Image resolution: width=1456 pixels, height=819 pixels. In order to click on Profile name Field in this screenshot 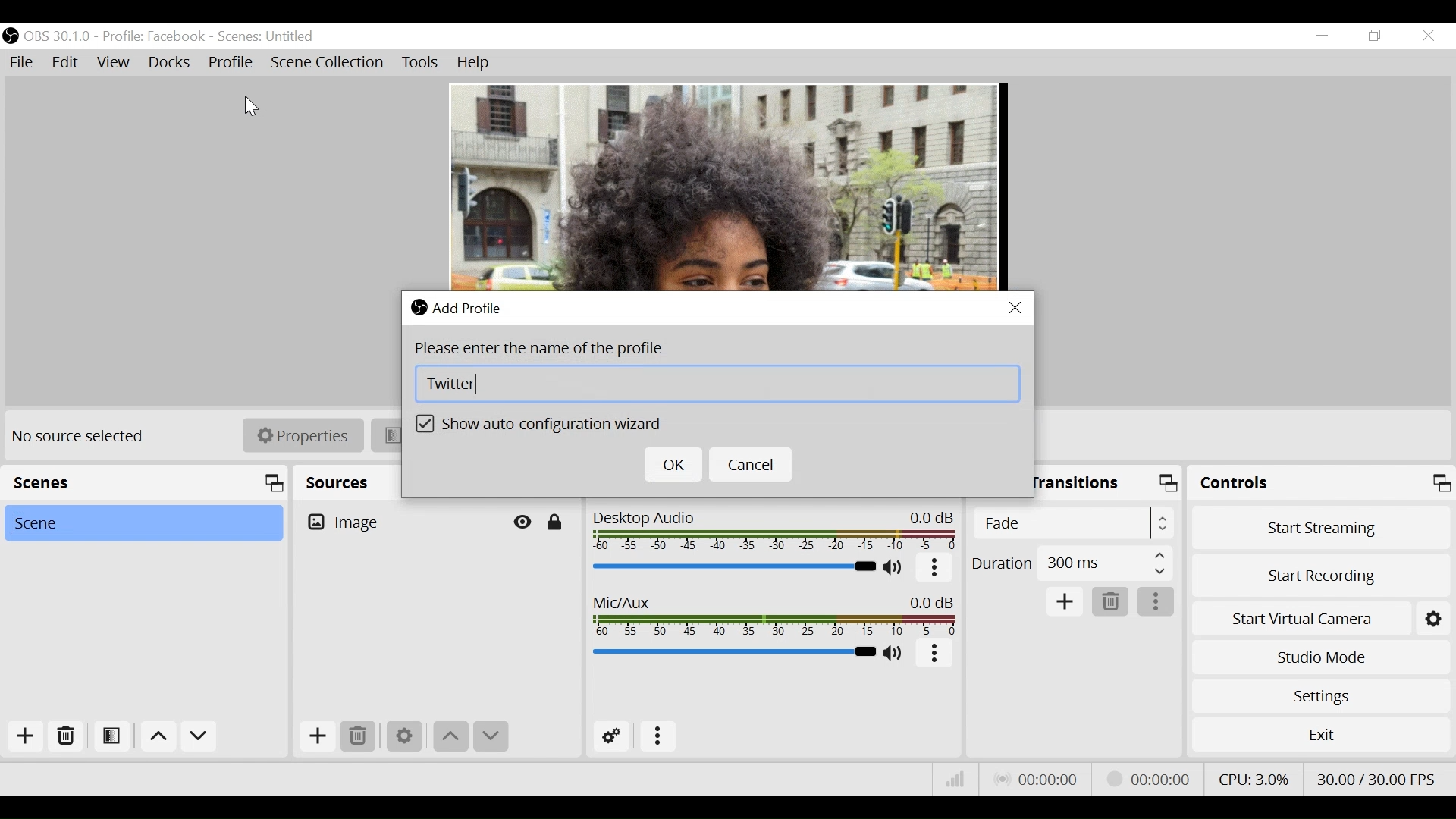, I will do `click(718, 384)`.